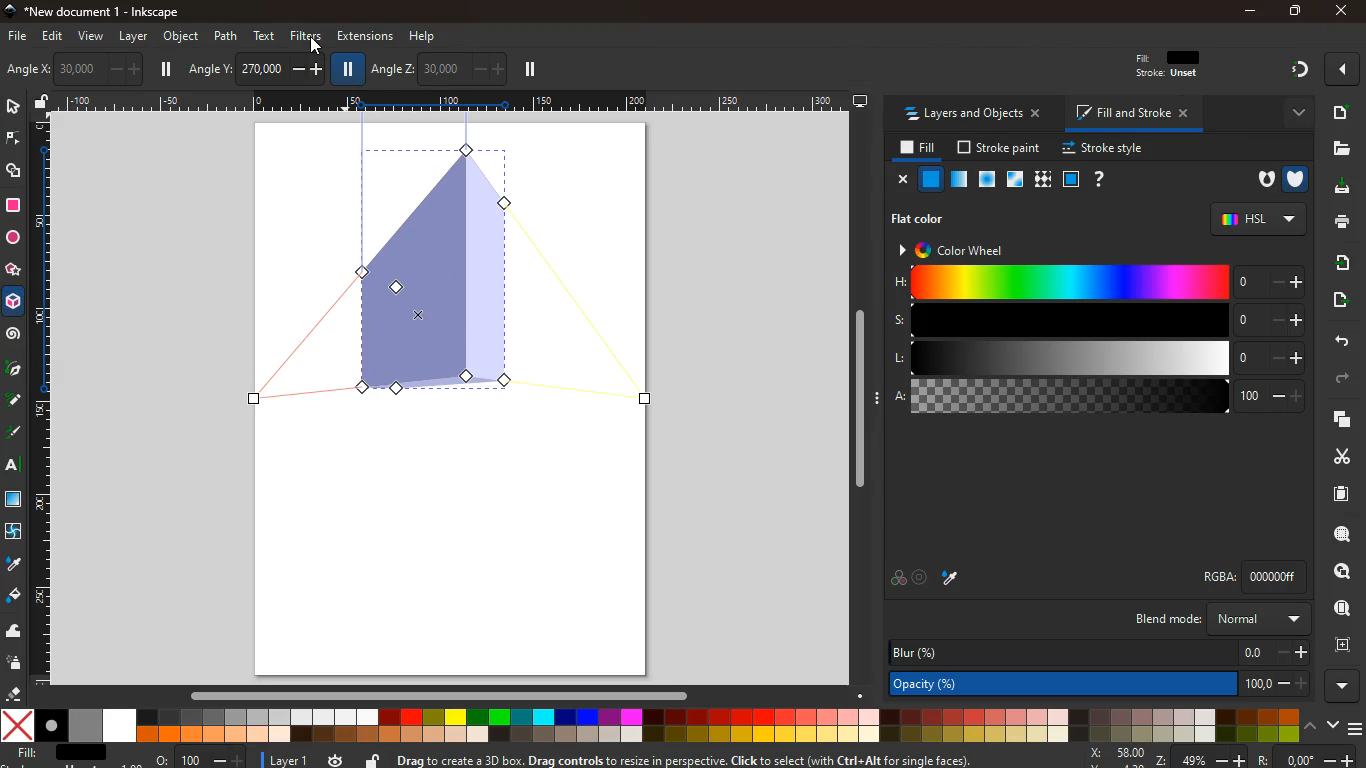 Image resolution: width=1366 pixels, height=768 pixels. Describe the element at coordinates (1336, 262) in the screenshot. I see `receive` at that location.